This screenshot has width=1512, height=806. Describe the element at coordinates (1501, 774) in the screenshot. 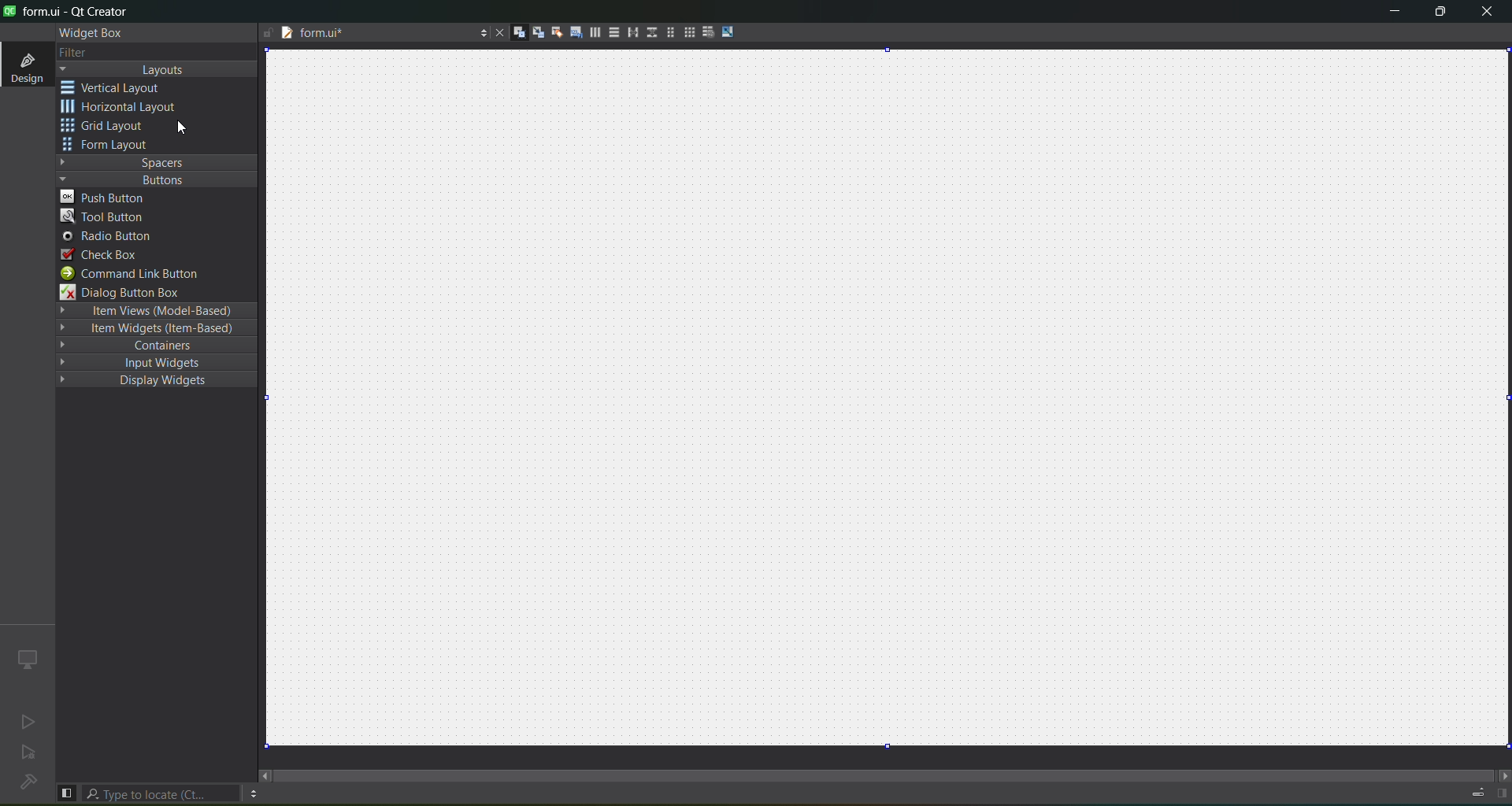

I see `move right` at that location.